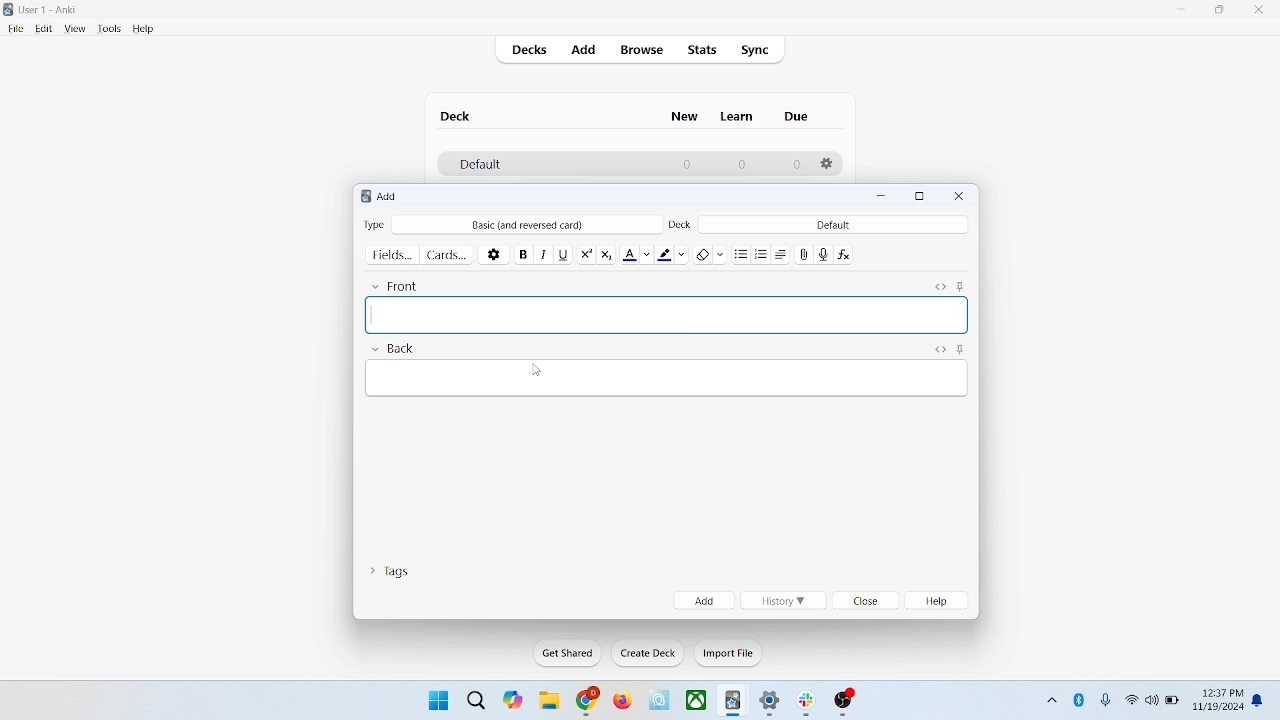 The image size is (1280, 720). Describe the element at coordinates (1131, 699) in the screenshot. I see `wifi` at that location.